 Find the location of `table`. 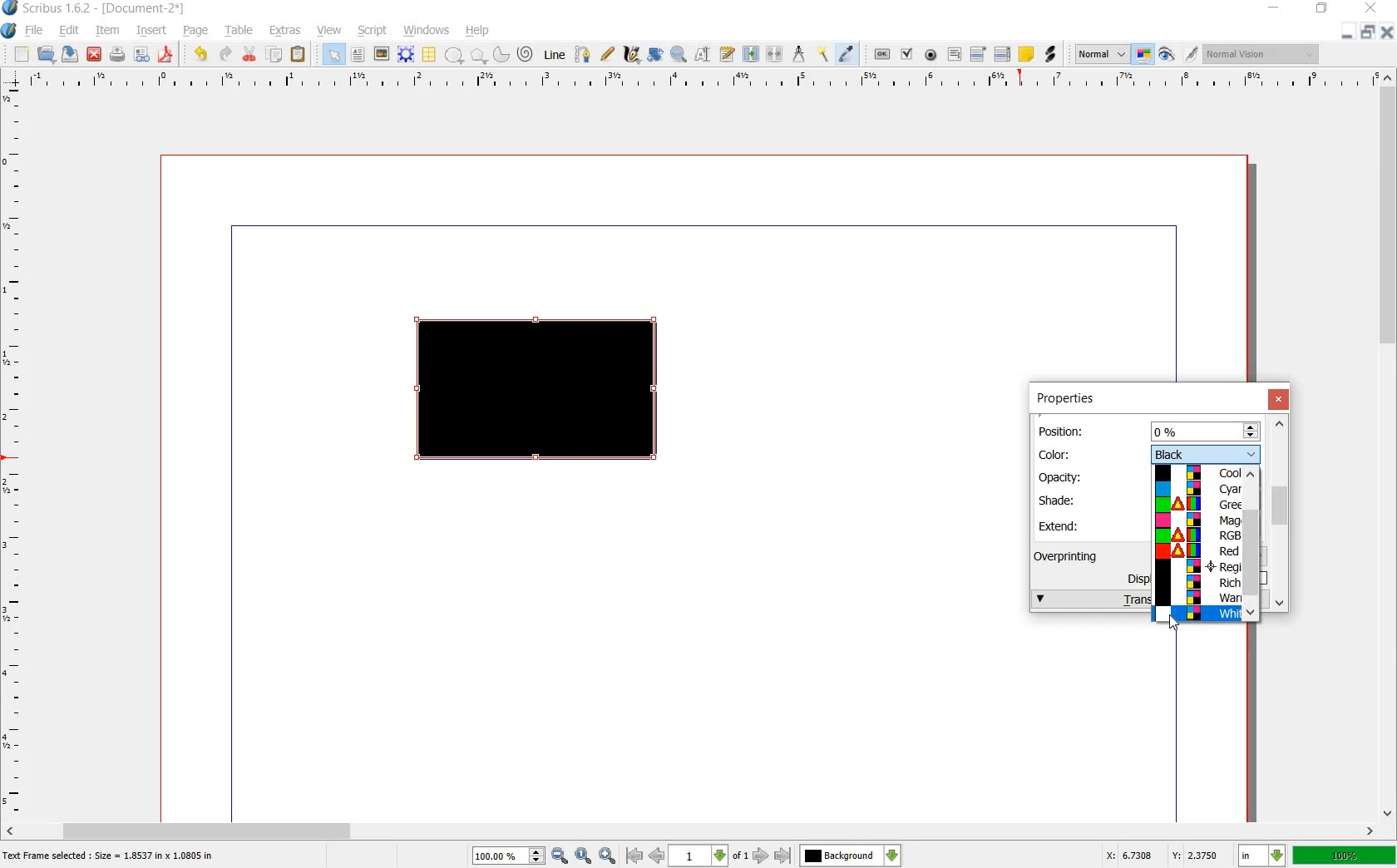

table is located at coordinates (430, 55).